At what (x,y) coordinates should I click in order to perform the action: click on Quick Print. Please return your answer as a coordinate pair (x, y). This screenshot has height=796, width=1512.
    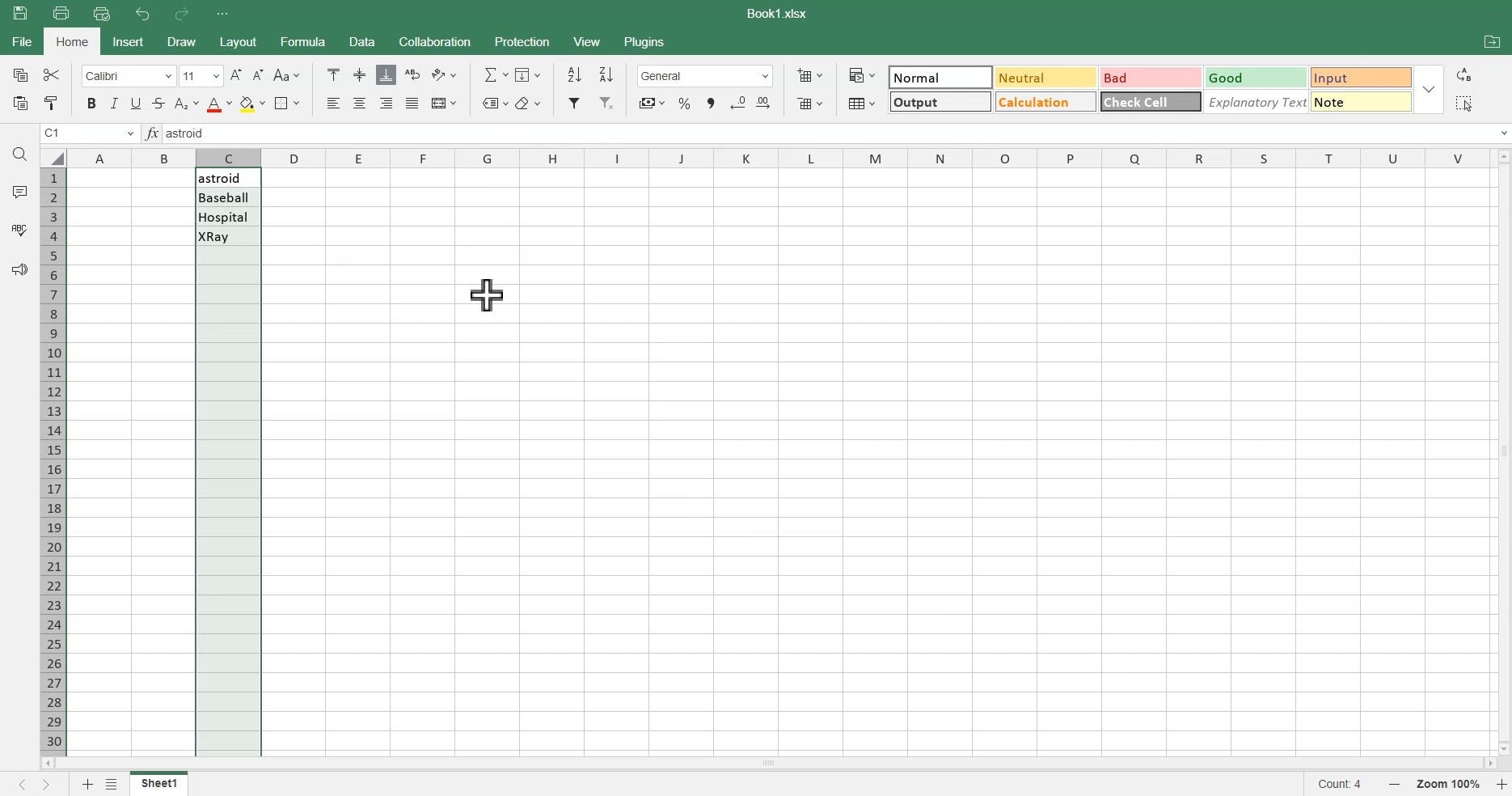
    Looking at the image, I should click on (102, 14).